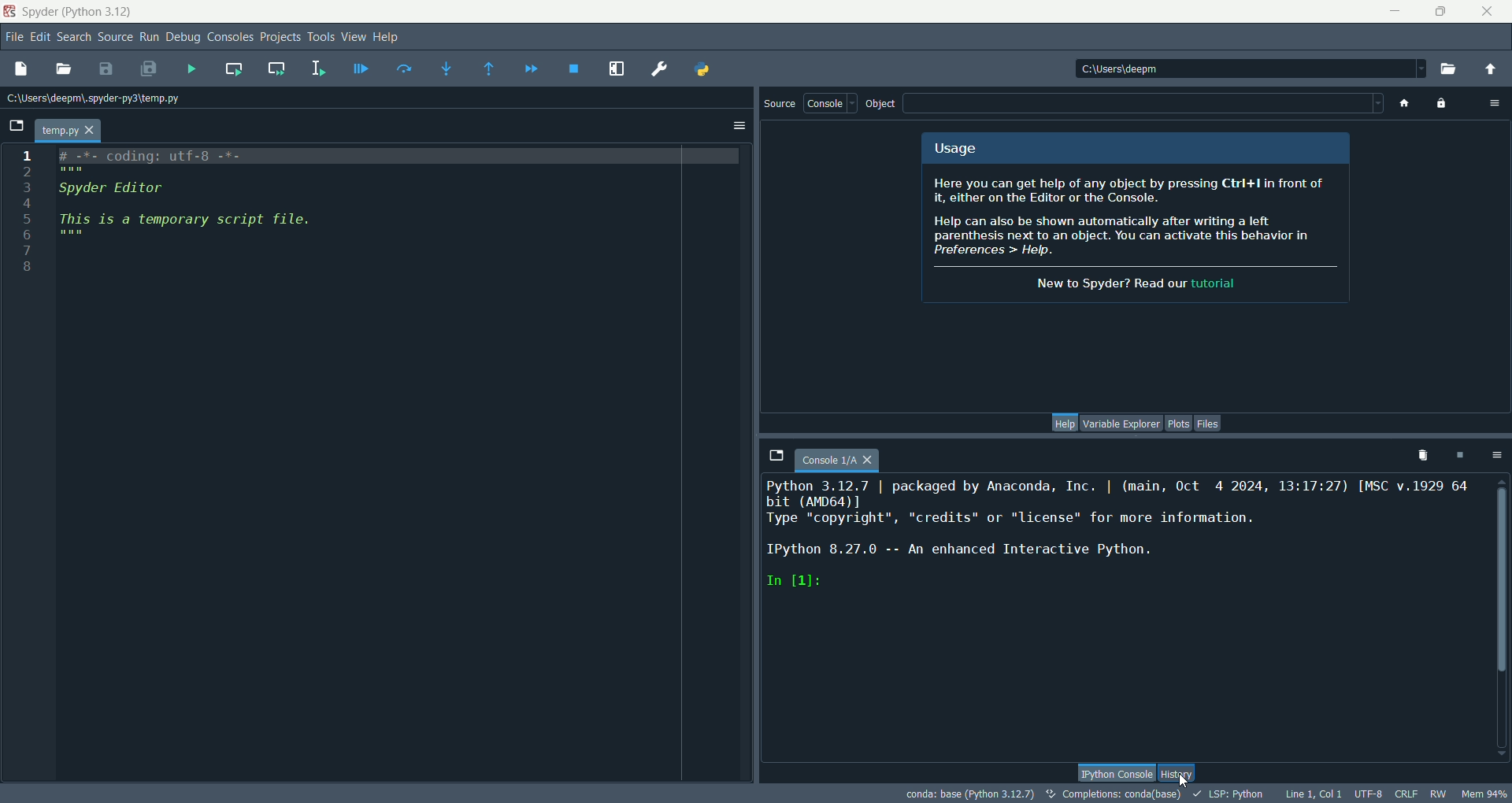 This screenshot has height=803, width=1512. Describe the element at coordinates (839, 460) in the screenshot. I see `console` at that location.